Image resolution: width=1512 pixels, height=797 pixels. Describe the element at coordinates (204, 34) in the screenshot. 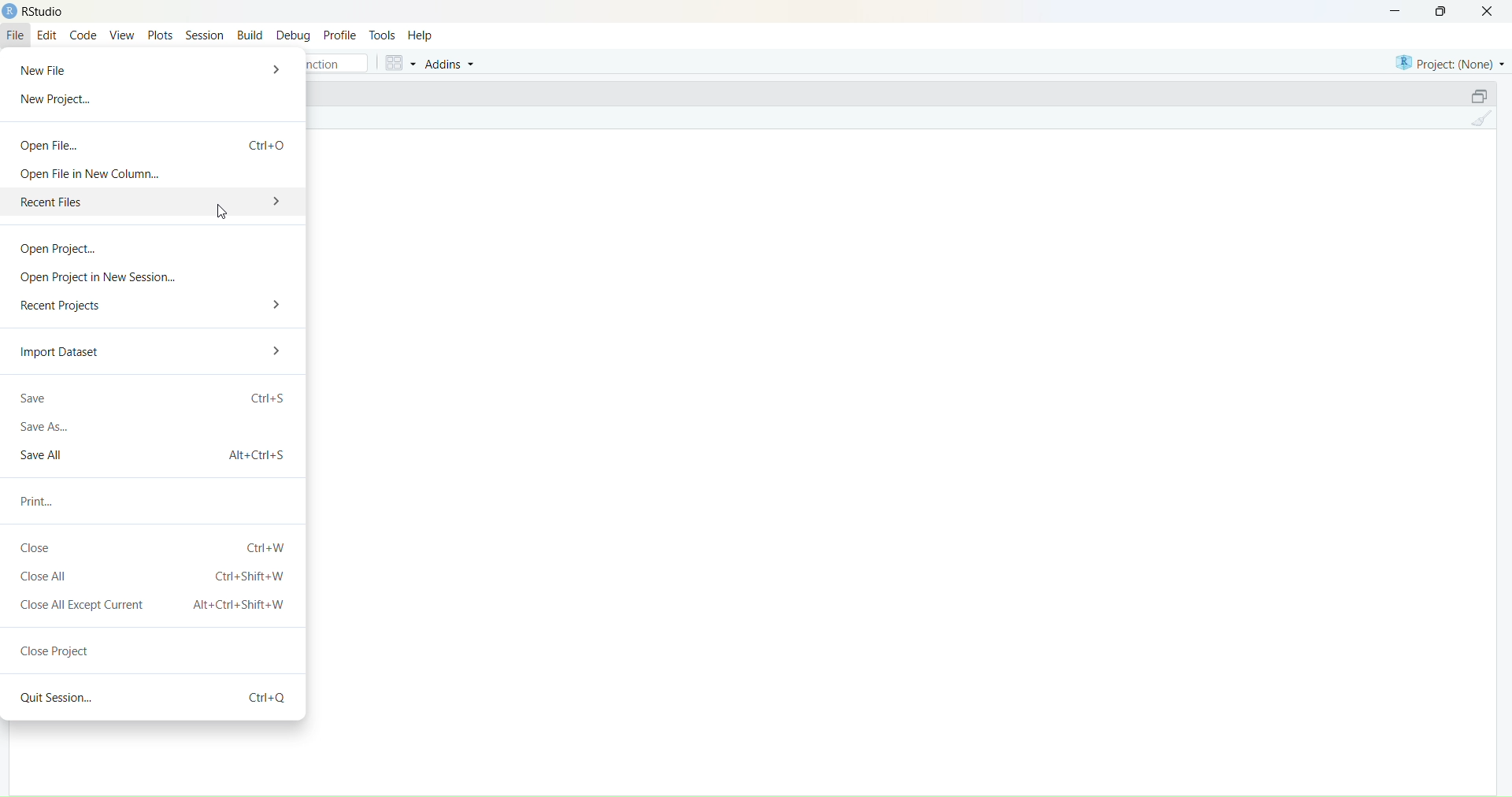

I see `Session` at that location.